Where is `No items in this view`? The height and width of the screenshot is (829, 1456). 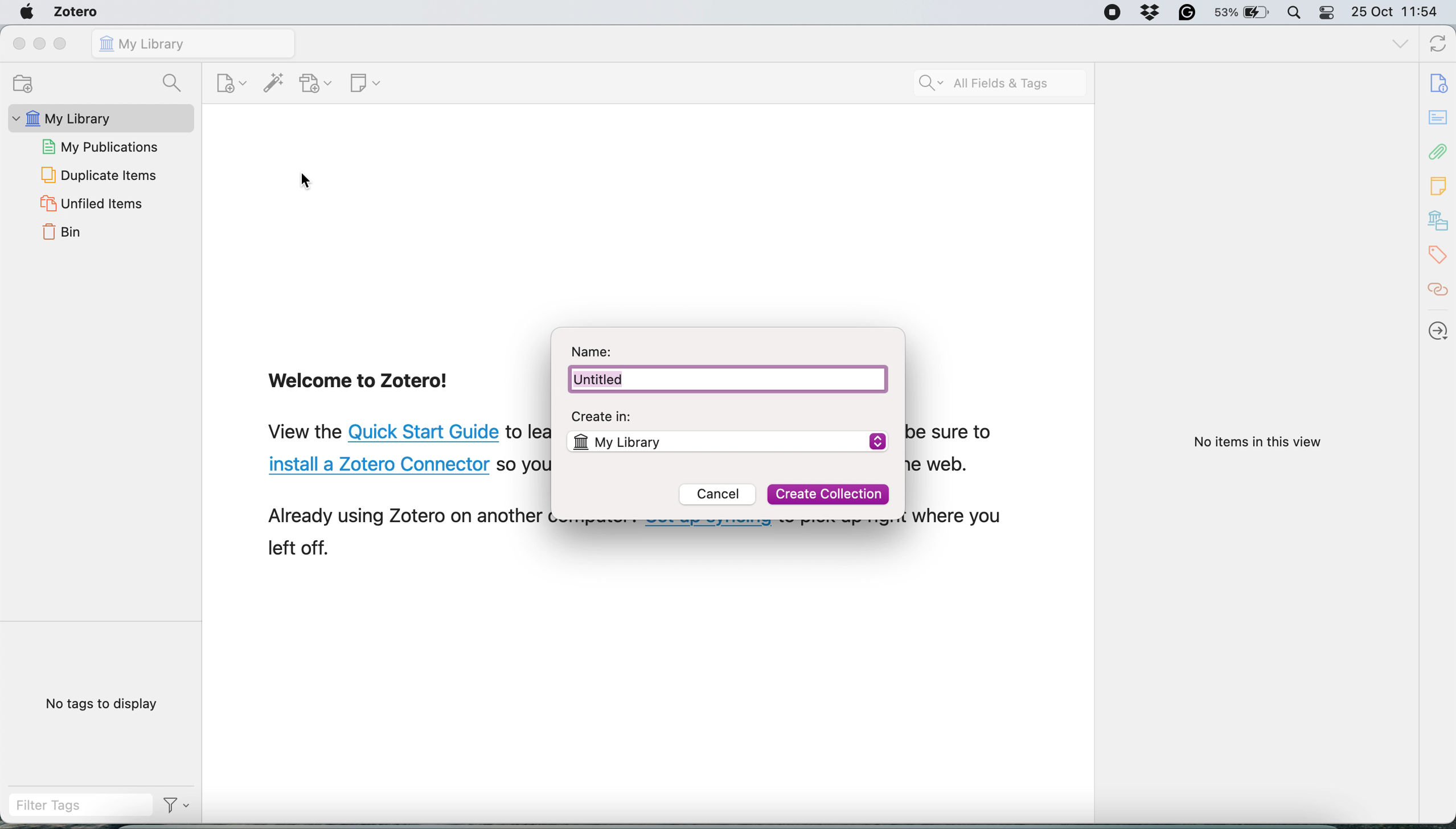
No items in this view is located at coordinates (1255, 442).